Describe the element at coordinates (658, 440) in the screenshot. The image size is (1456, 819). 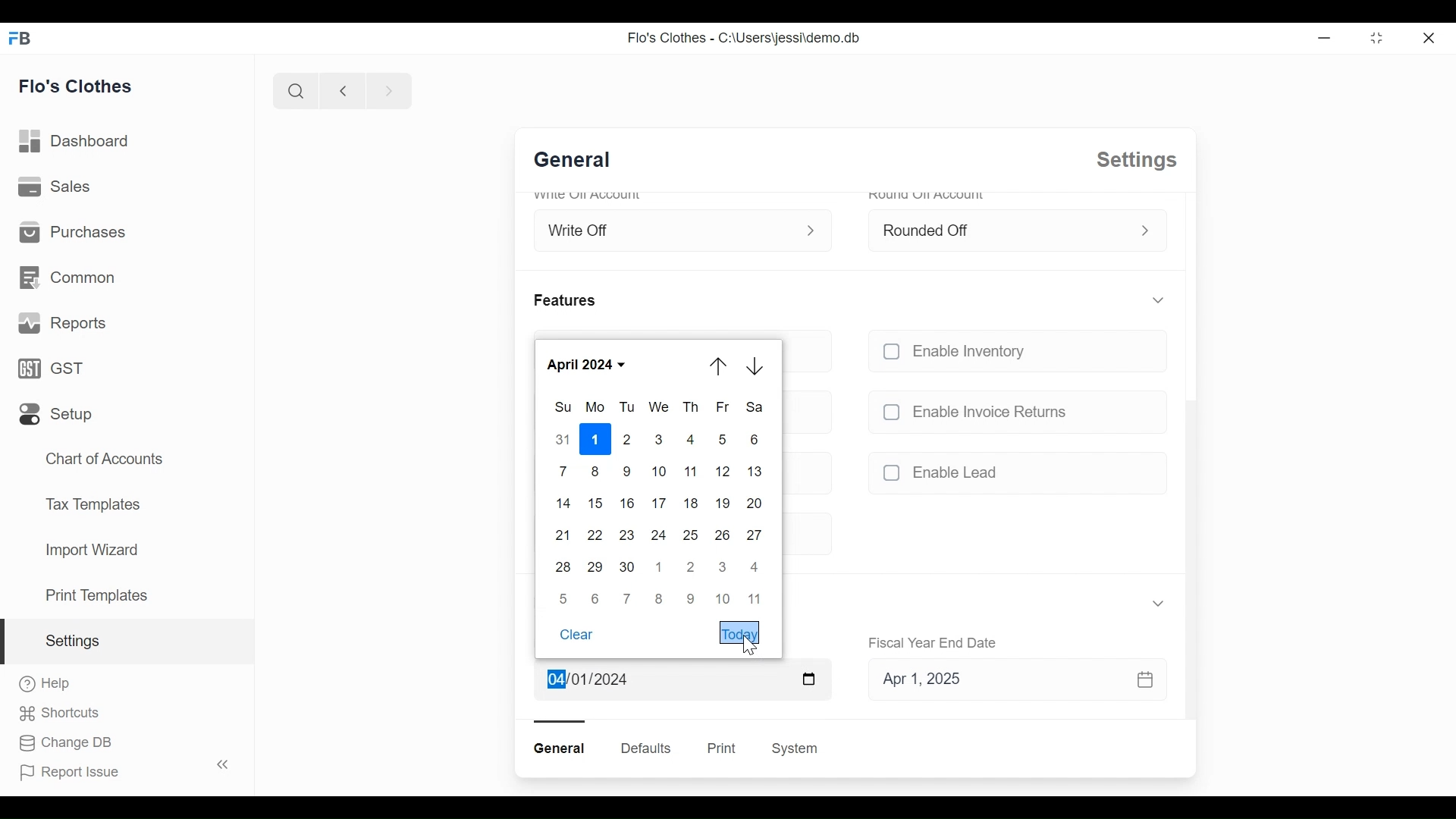
I see `3` at that location.